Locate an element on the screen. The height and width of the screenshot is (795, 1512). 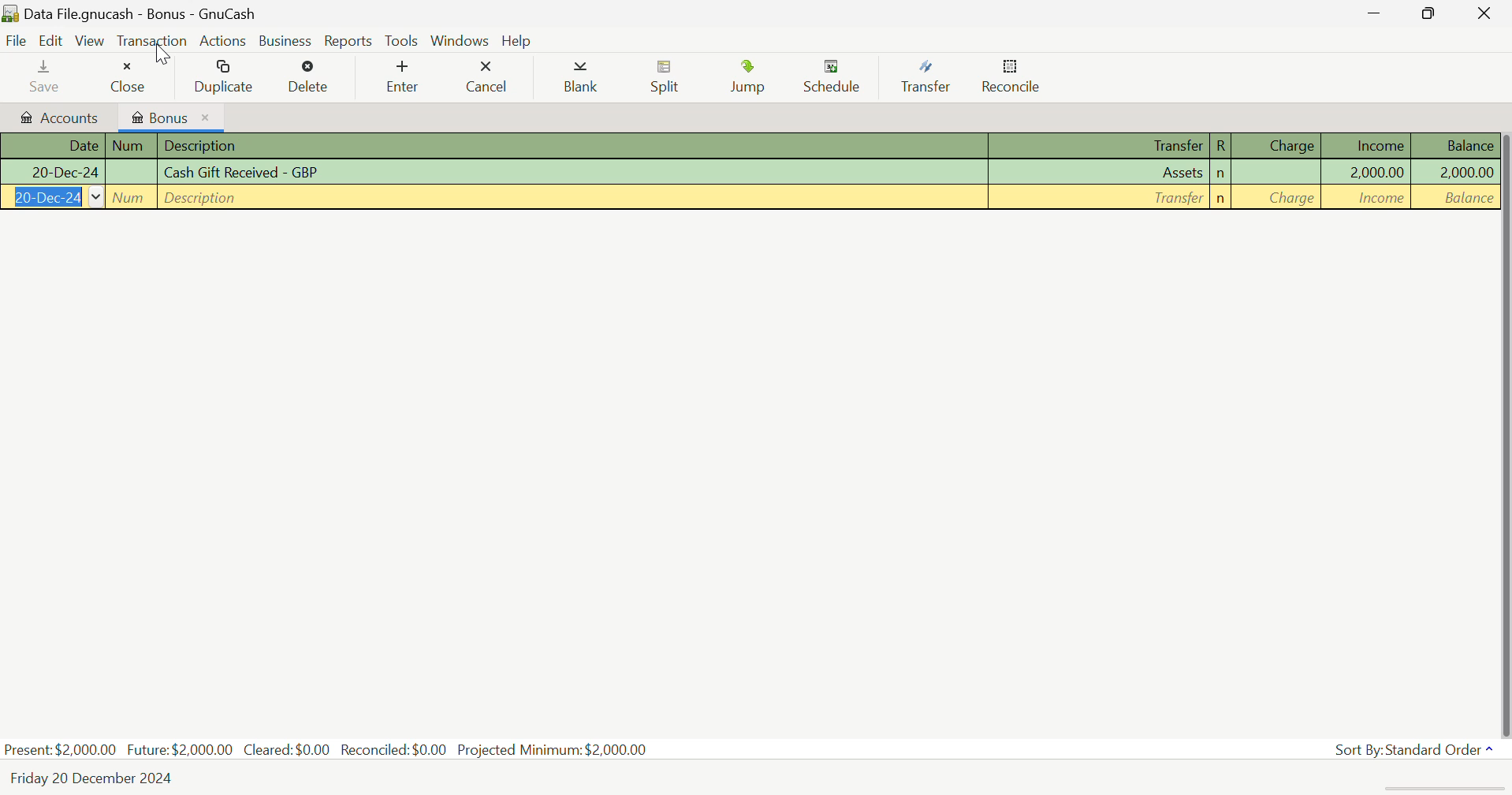
Scroll Bar is located at coordinates (1503, 429).